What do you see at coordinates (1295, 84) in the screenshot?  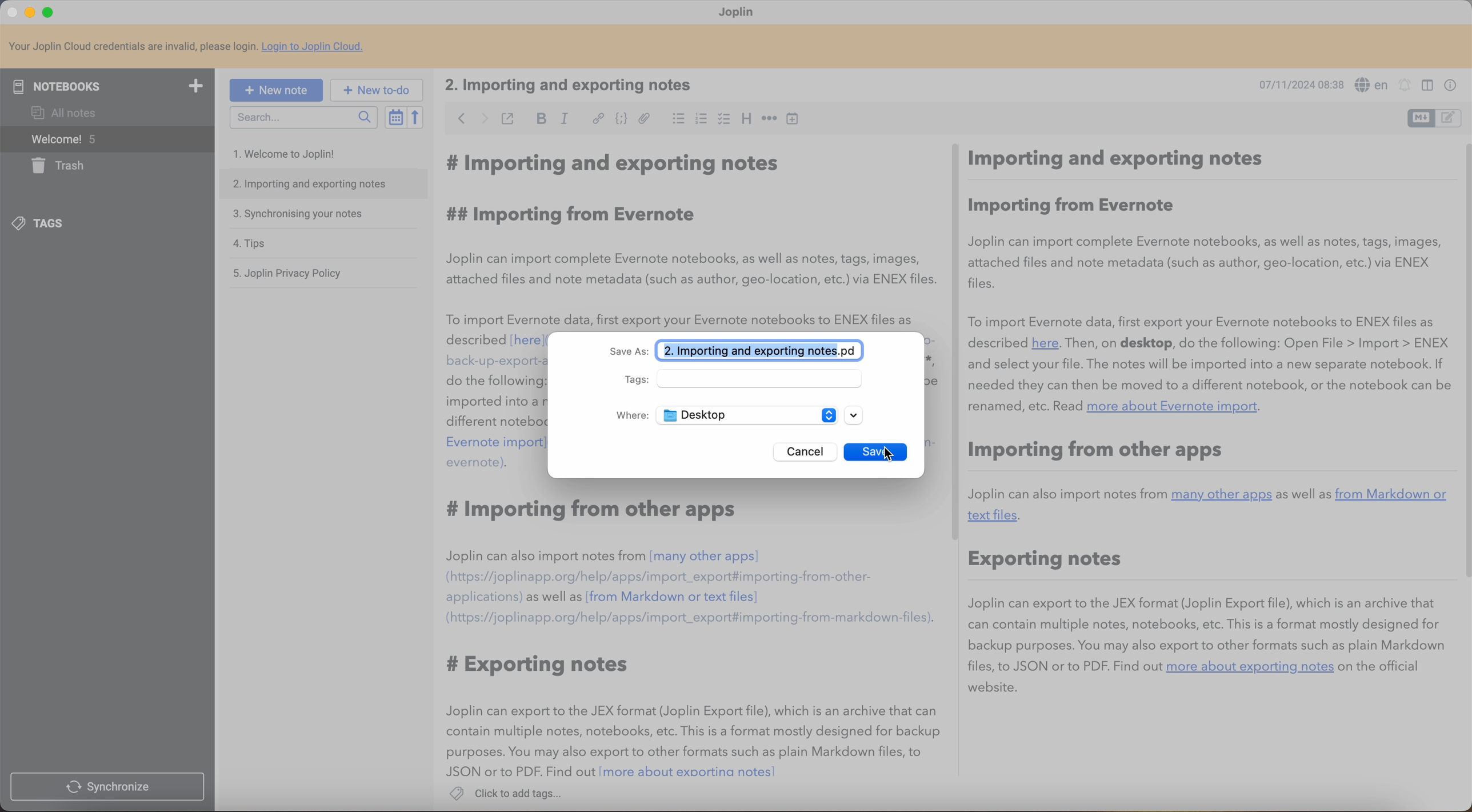 I see `21/12/2024 21:23` at bounding box center [1295, 84].